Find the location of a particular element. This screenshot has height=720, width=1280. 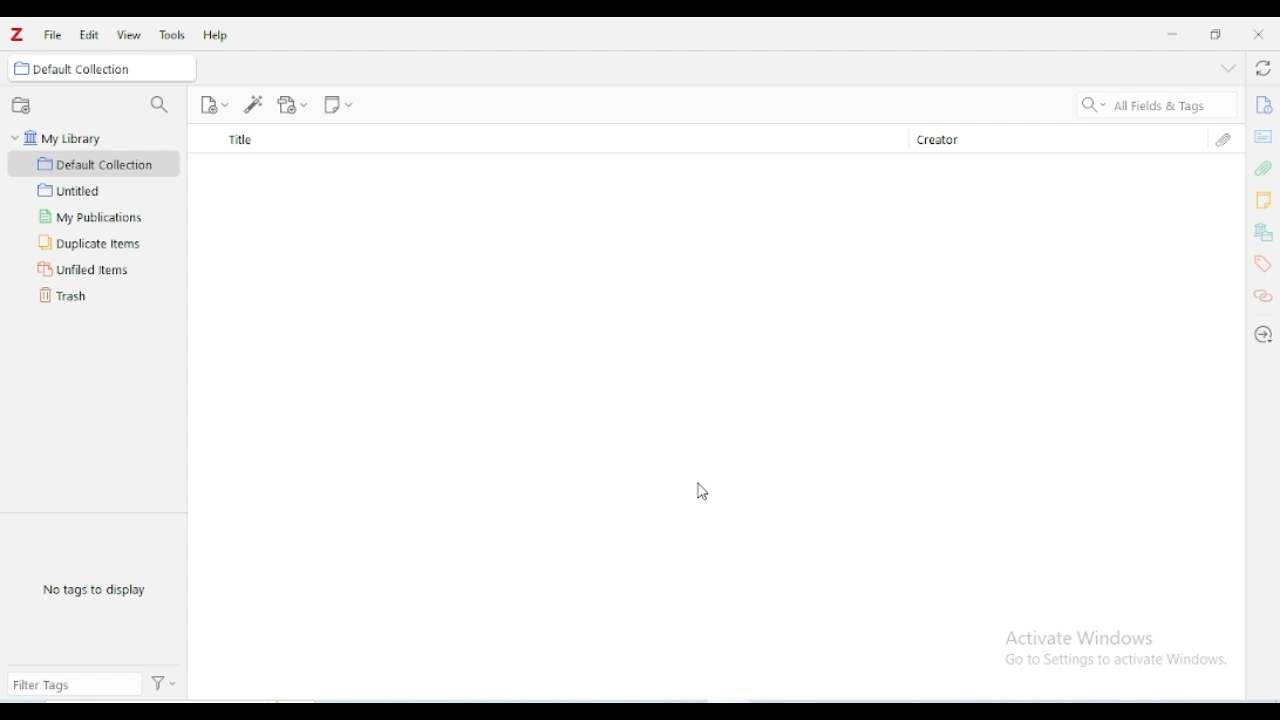

file is located at coordinates (52, 34).